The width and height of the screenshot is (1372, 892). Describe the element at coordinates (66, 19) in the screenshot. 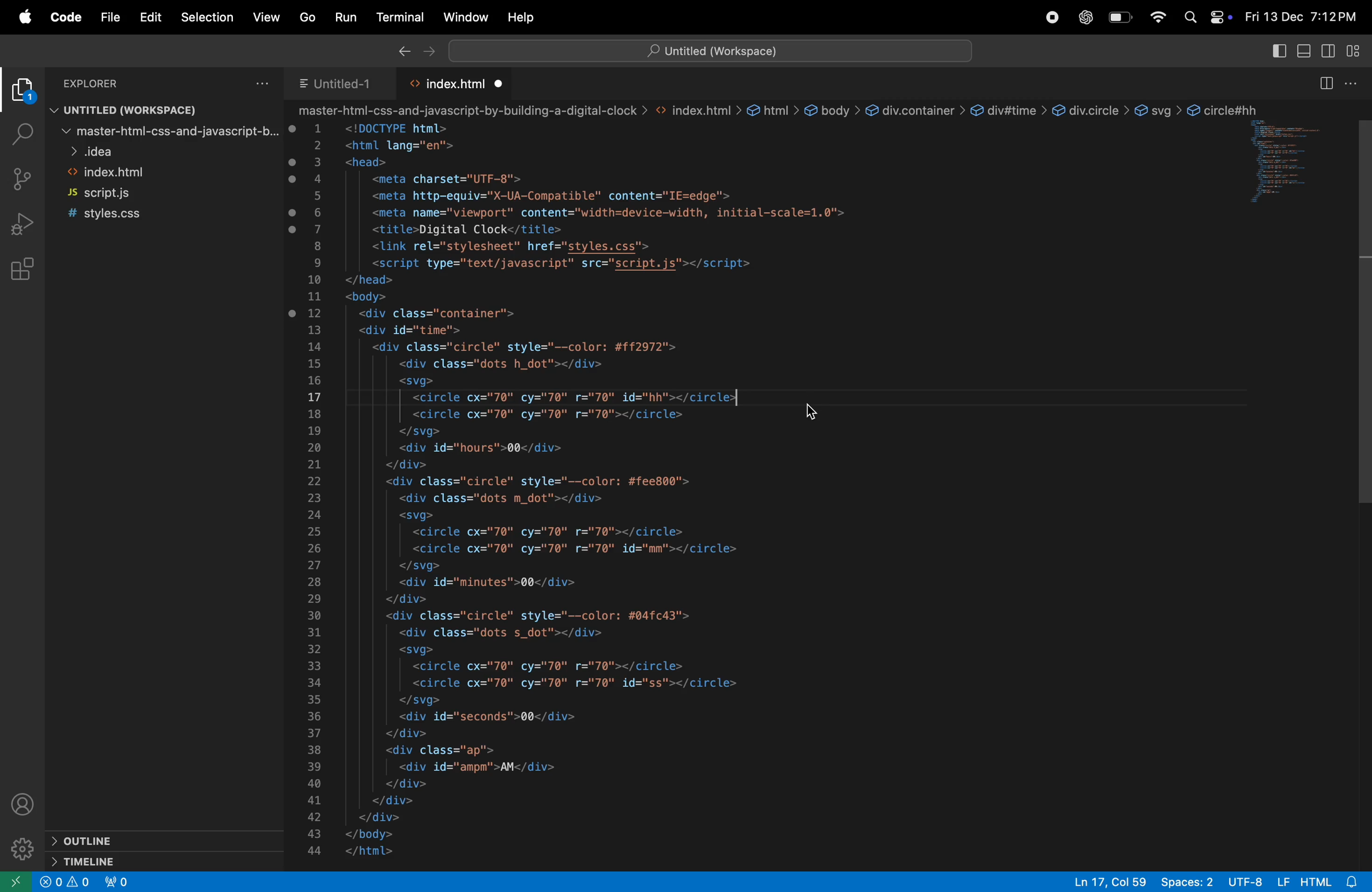

I see `code` at that location.